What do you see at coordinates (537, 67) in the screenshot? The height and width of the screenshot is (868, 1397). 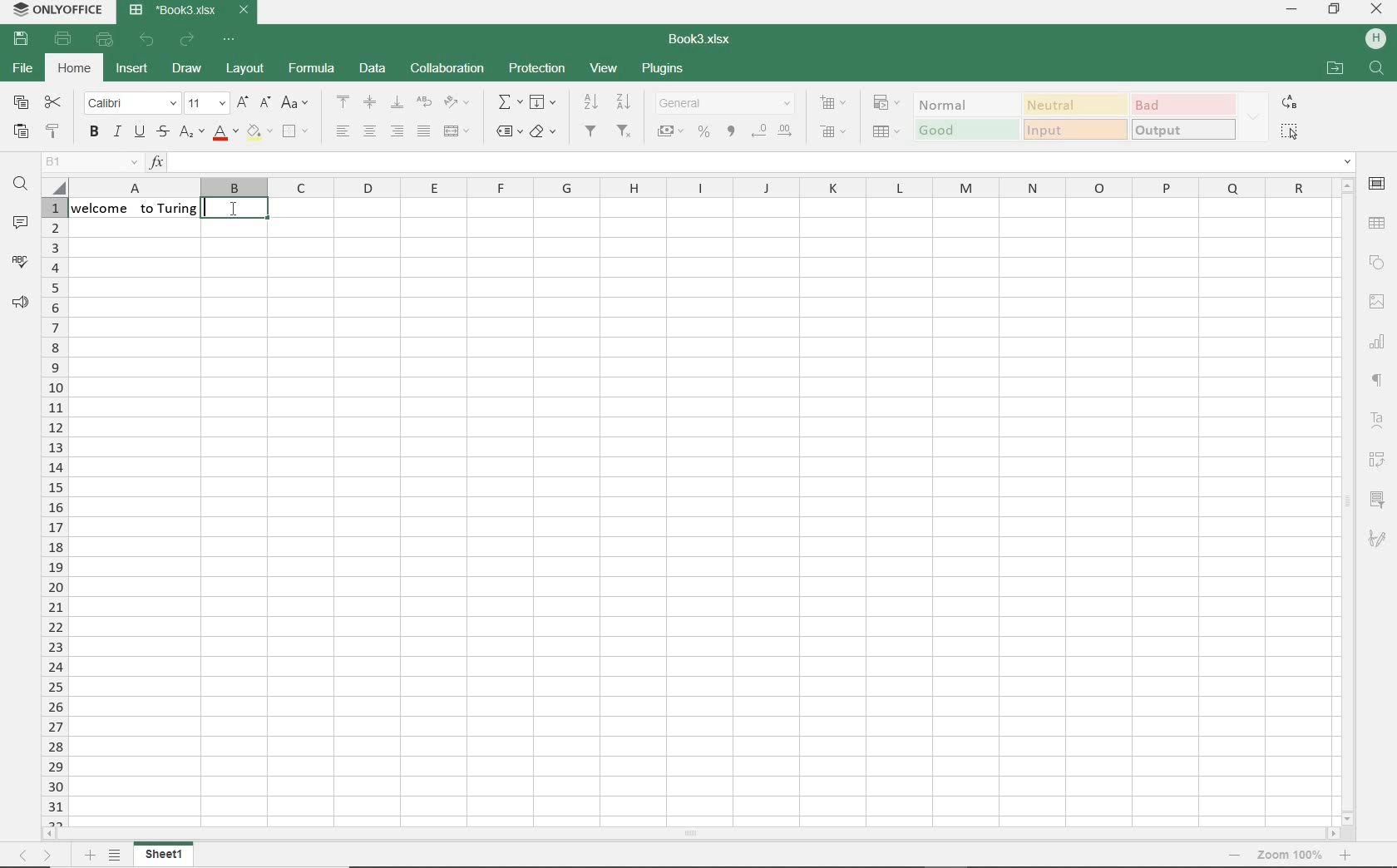 I see `protection` at bounding box center [537, 67].